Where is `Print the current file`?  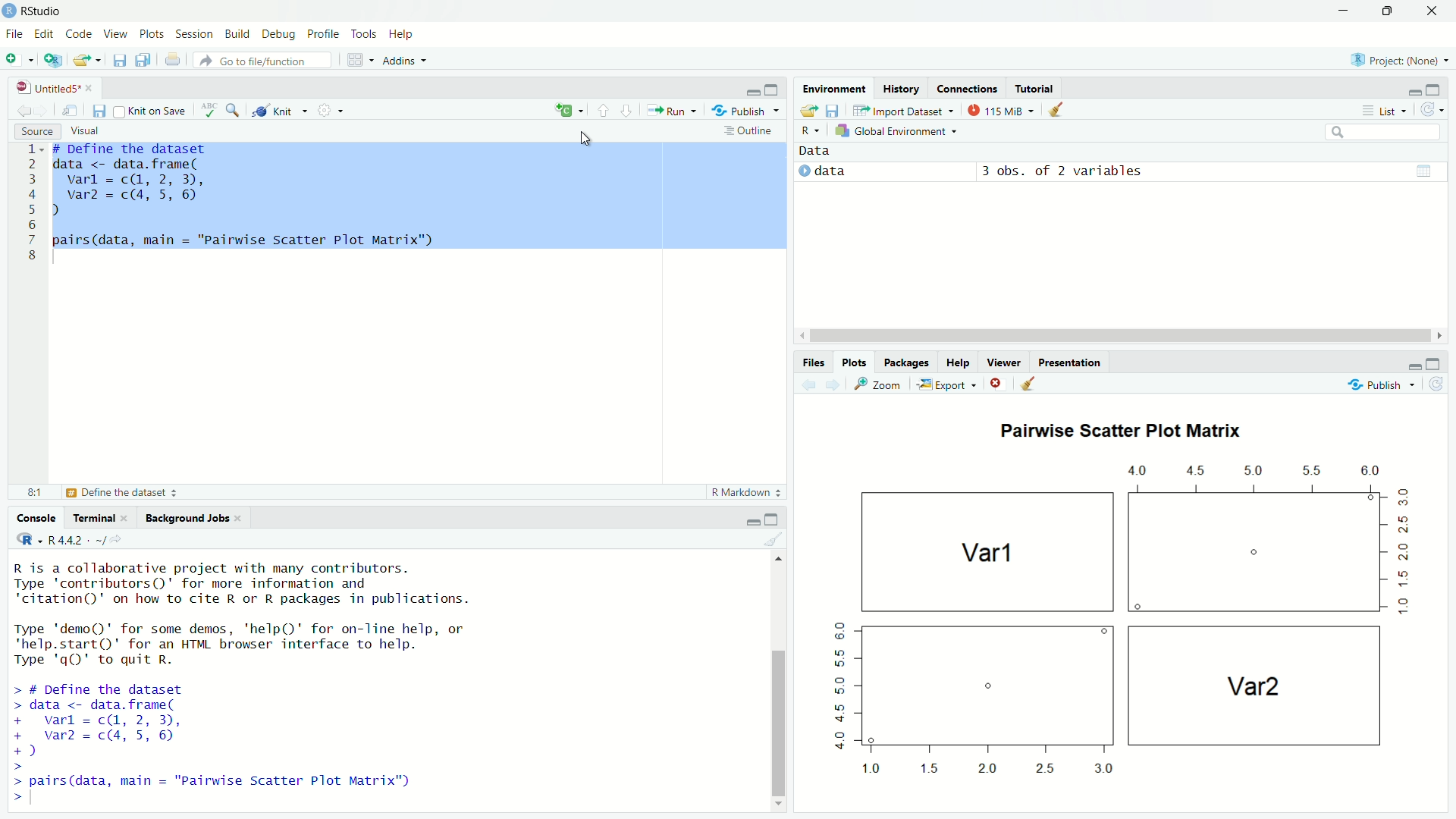
Print the current file is located at coordinates (172, 58).